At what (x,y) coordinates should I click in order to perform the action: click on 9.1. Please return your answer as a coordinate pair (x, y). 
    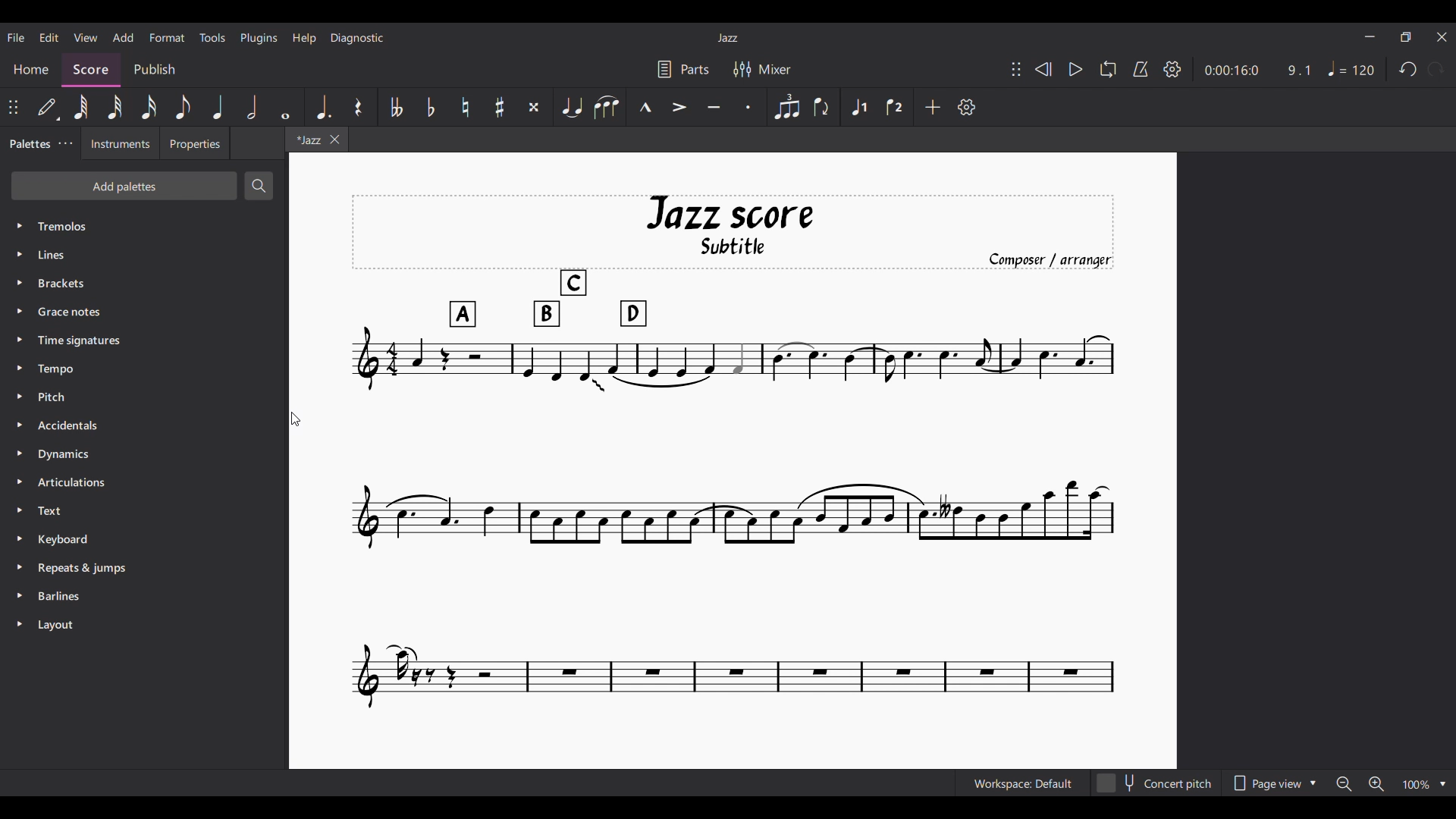
    Looking at the image, I should click on (1299, 71).